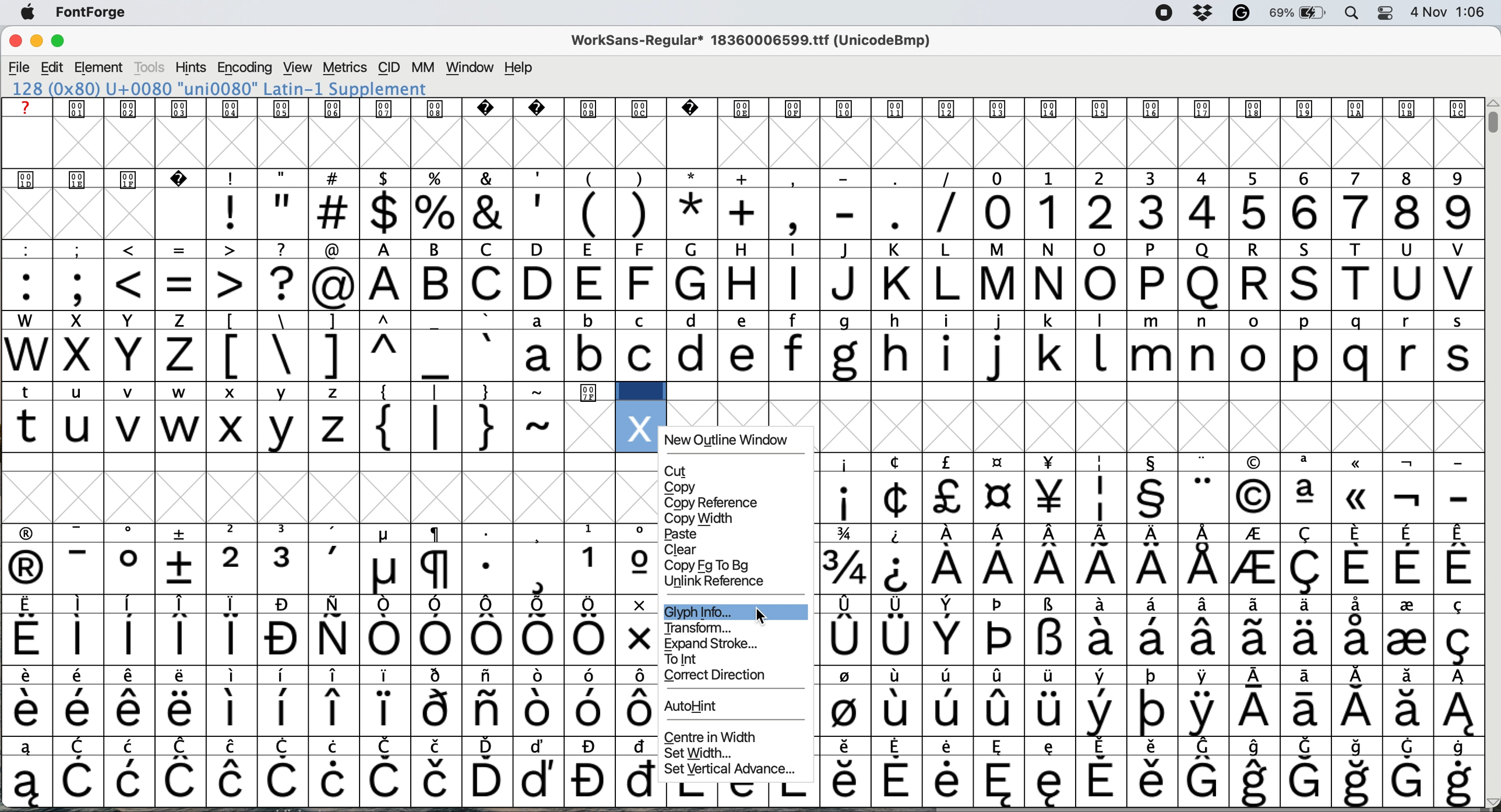 The image size is (1501, 812). I want to click on special characters, so click(1144, 498).